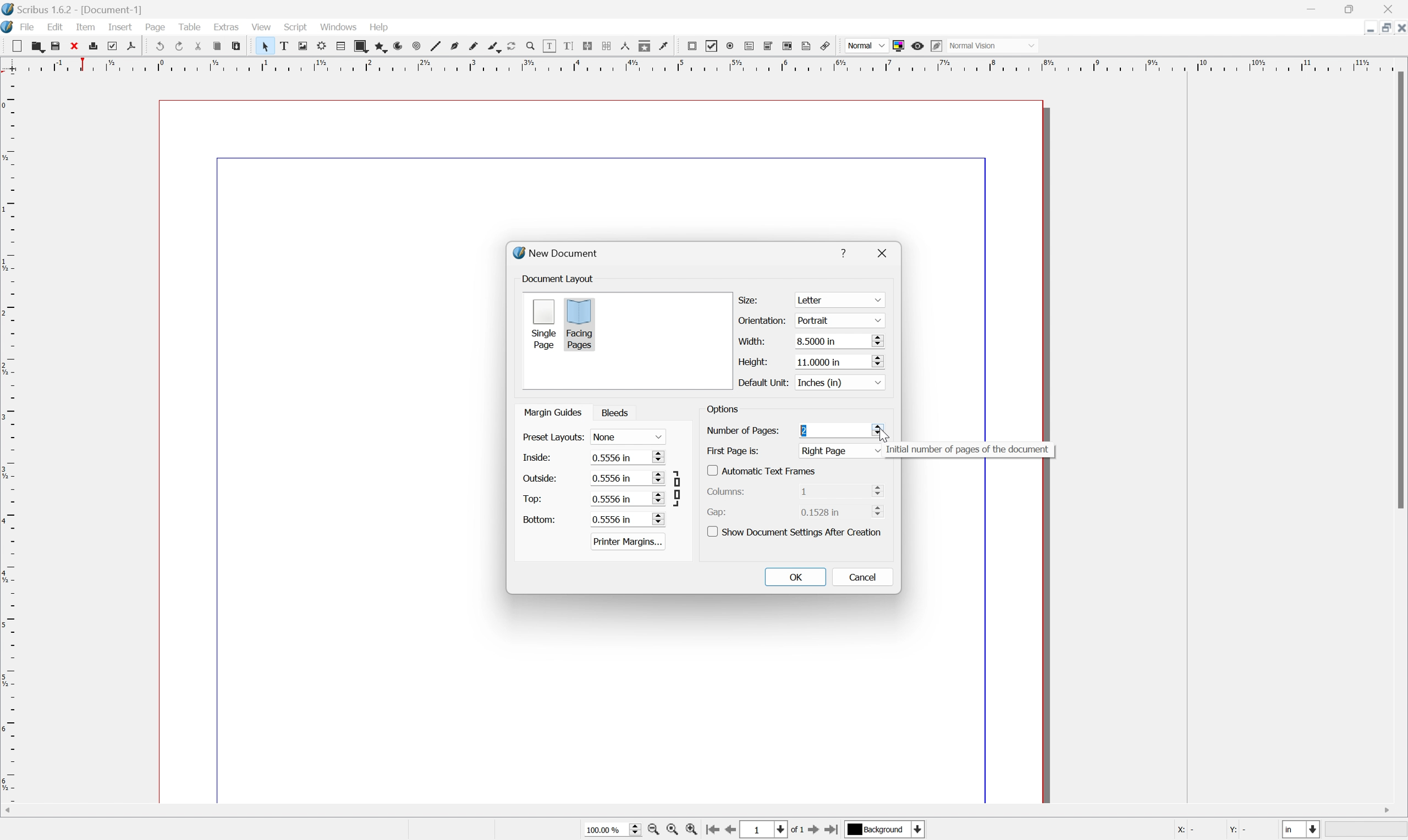 The height and width of the screenshot is (840, 1408). What do you see at coordinates (733, 450) in the screenshot?
I see `first page is:` at bounding box center [733, 450].